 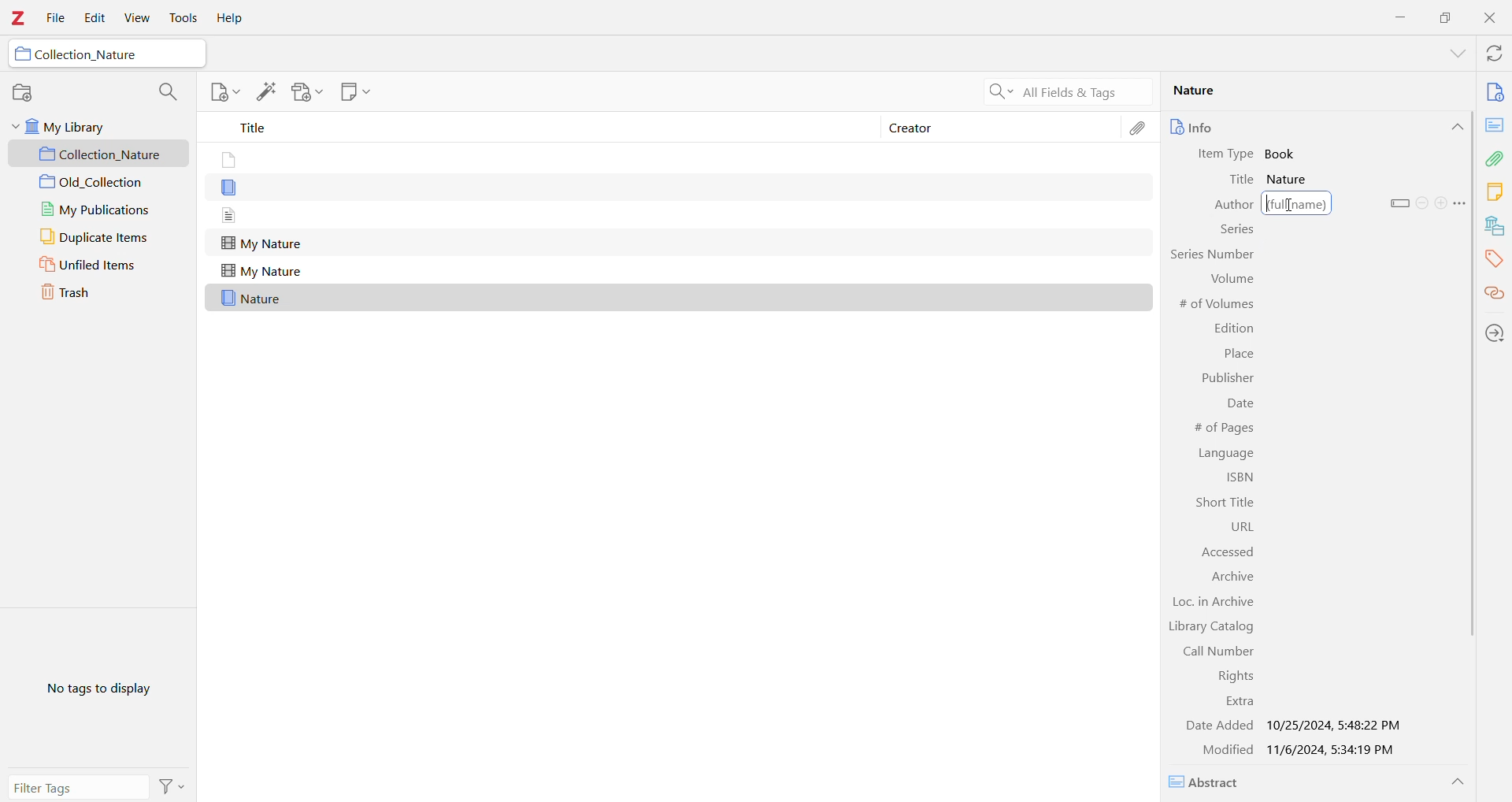 What do you see at coordinates (1297, 203) in the screenshot?
I see `(full name)` at bounding box center [1297, 203].